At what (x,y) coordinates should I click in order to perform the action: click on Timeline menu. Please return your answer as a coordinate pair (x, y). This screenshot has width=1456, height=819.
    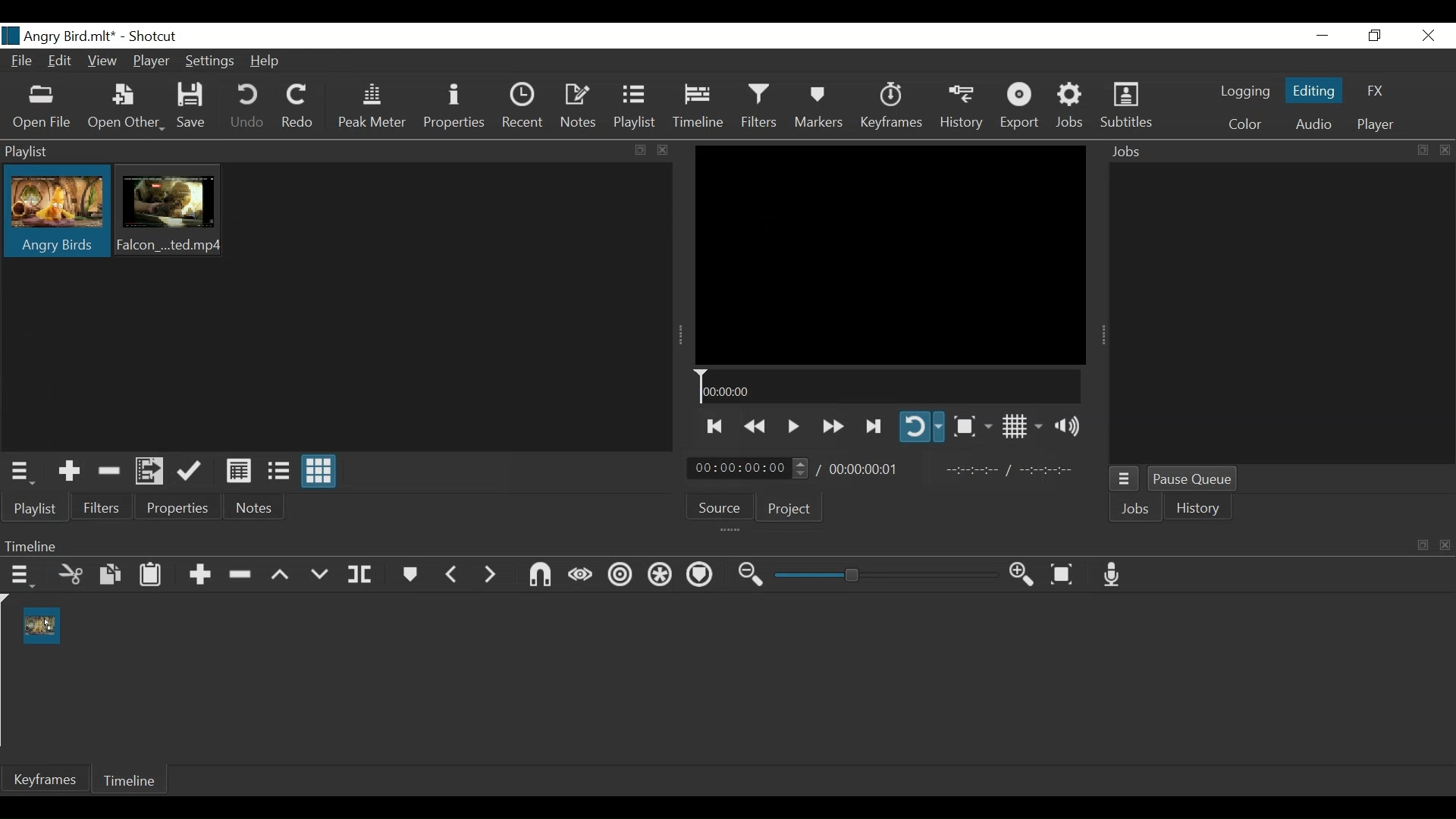
    Looking at the image, I should click on (20, 576).